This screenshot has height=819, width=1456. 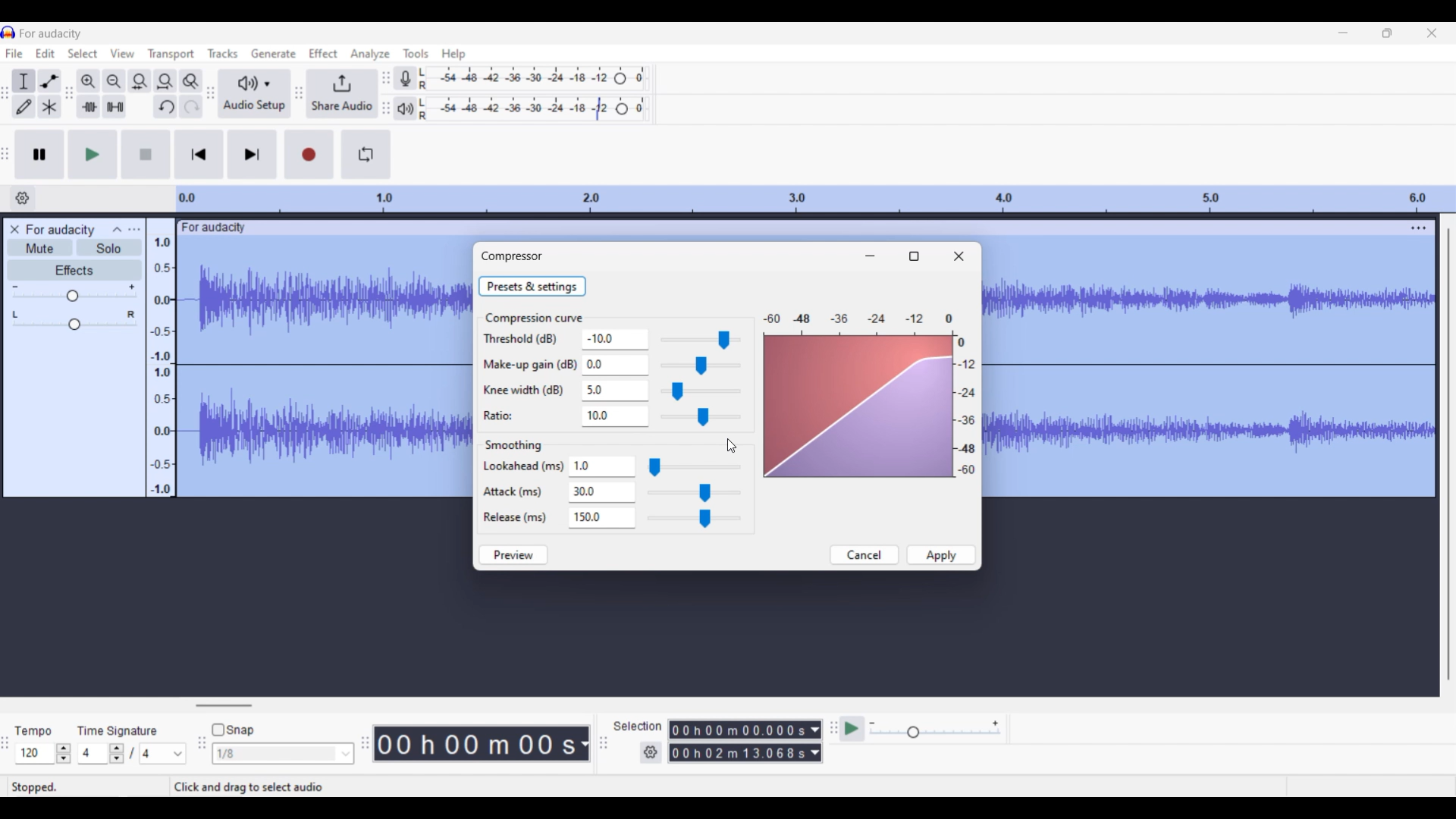 I want to click on Track settings, so click(x=1419, y=227).